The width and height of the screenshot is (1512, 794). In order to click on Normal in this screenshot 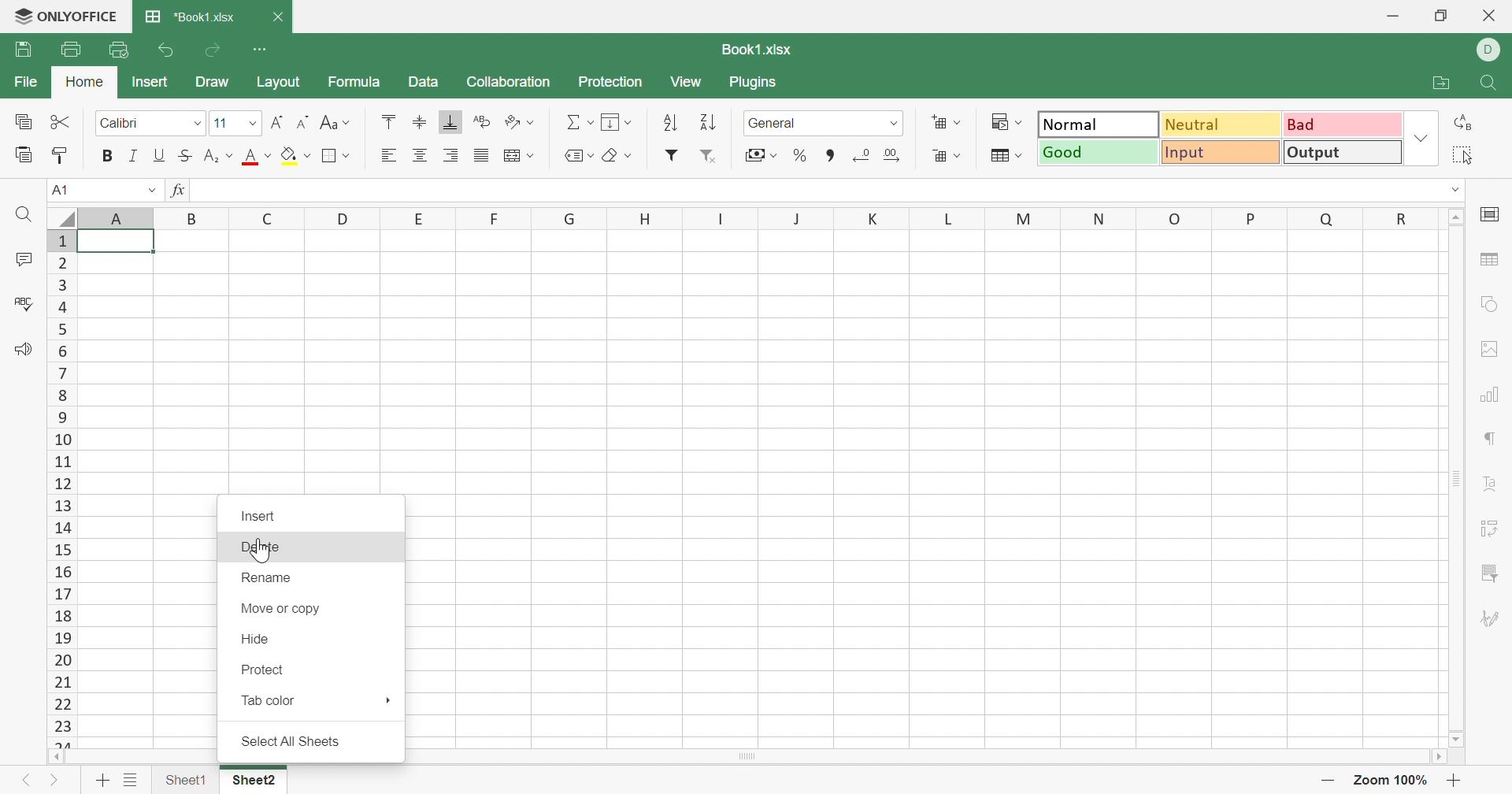, I will do `click(1099, 124)`.